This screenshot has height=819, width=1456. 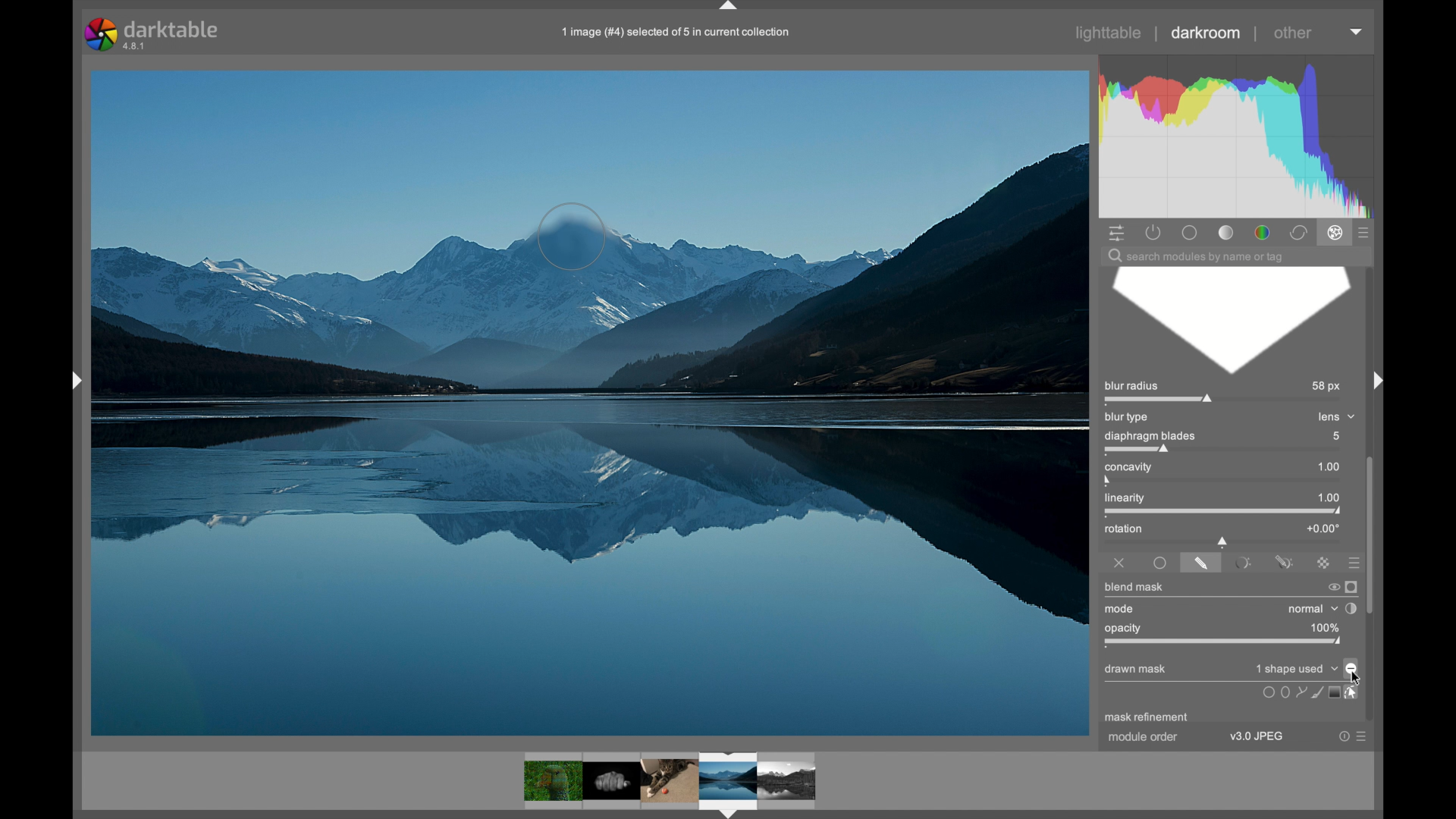 I want to click on 100%, so click(x=1325, y=627).